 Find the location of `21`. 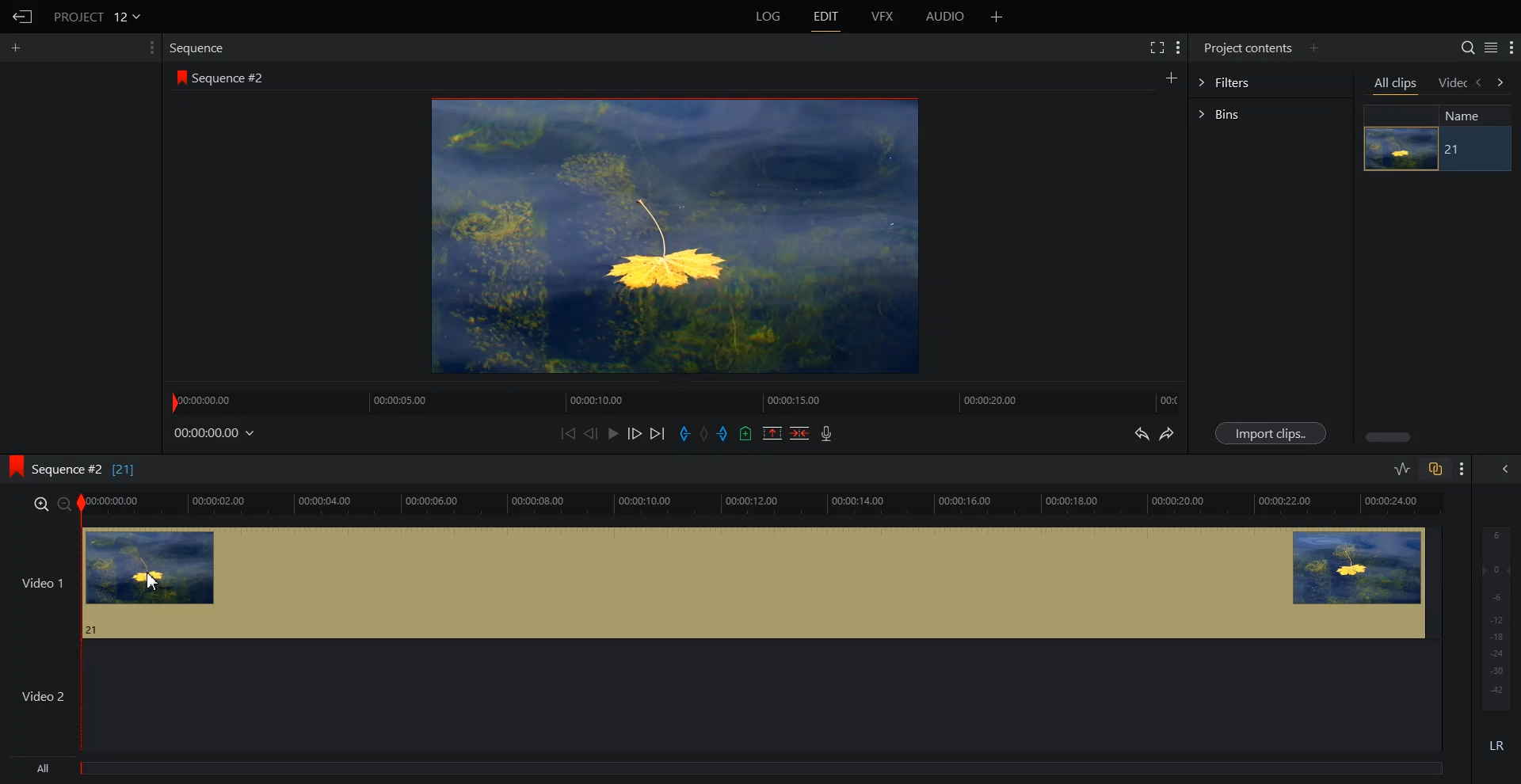

21 is located at coordinates (1454, 150).